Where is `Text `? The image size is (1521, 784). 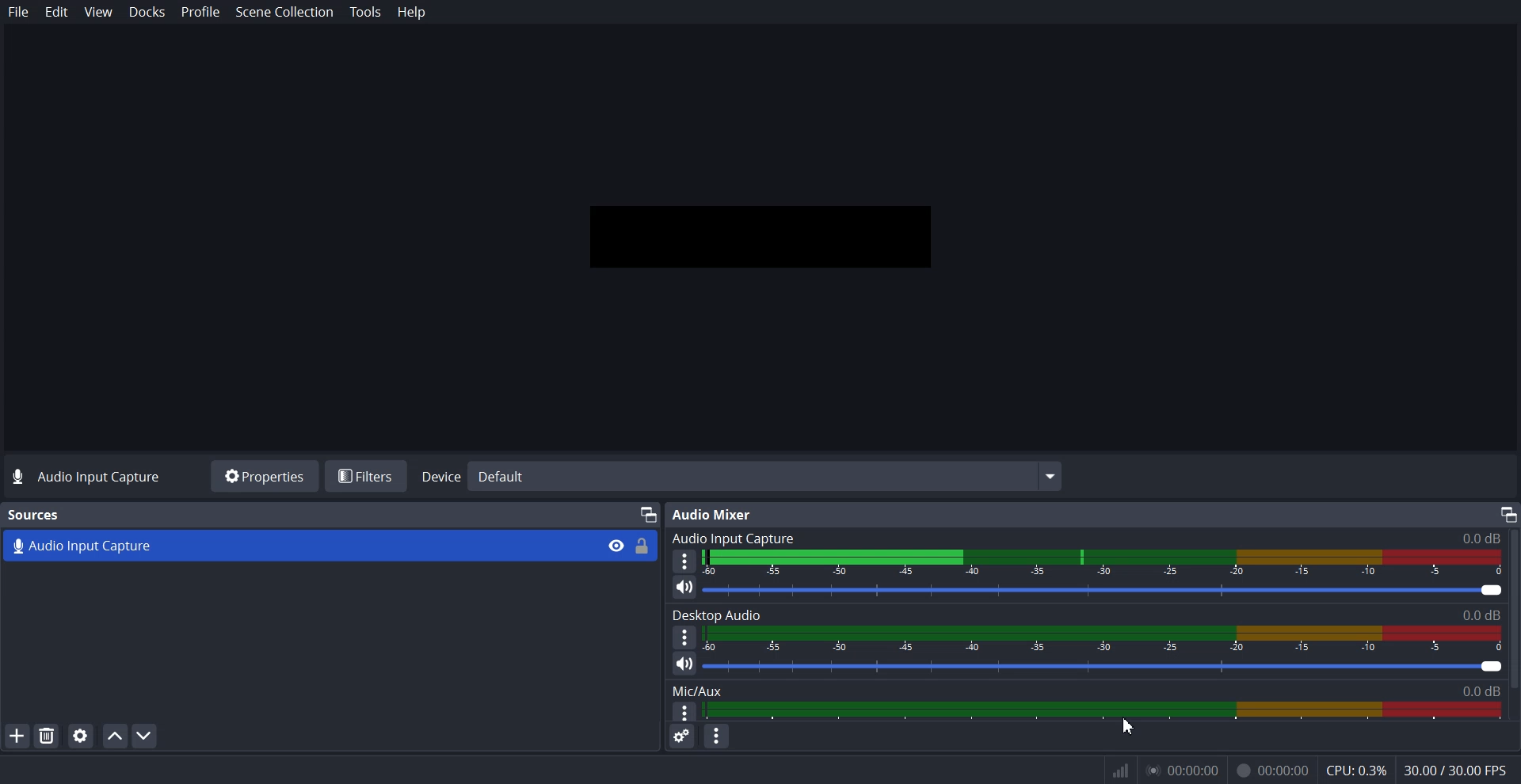 Text  is located at coordinates (89, 478).